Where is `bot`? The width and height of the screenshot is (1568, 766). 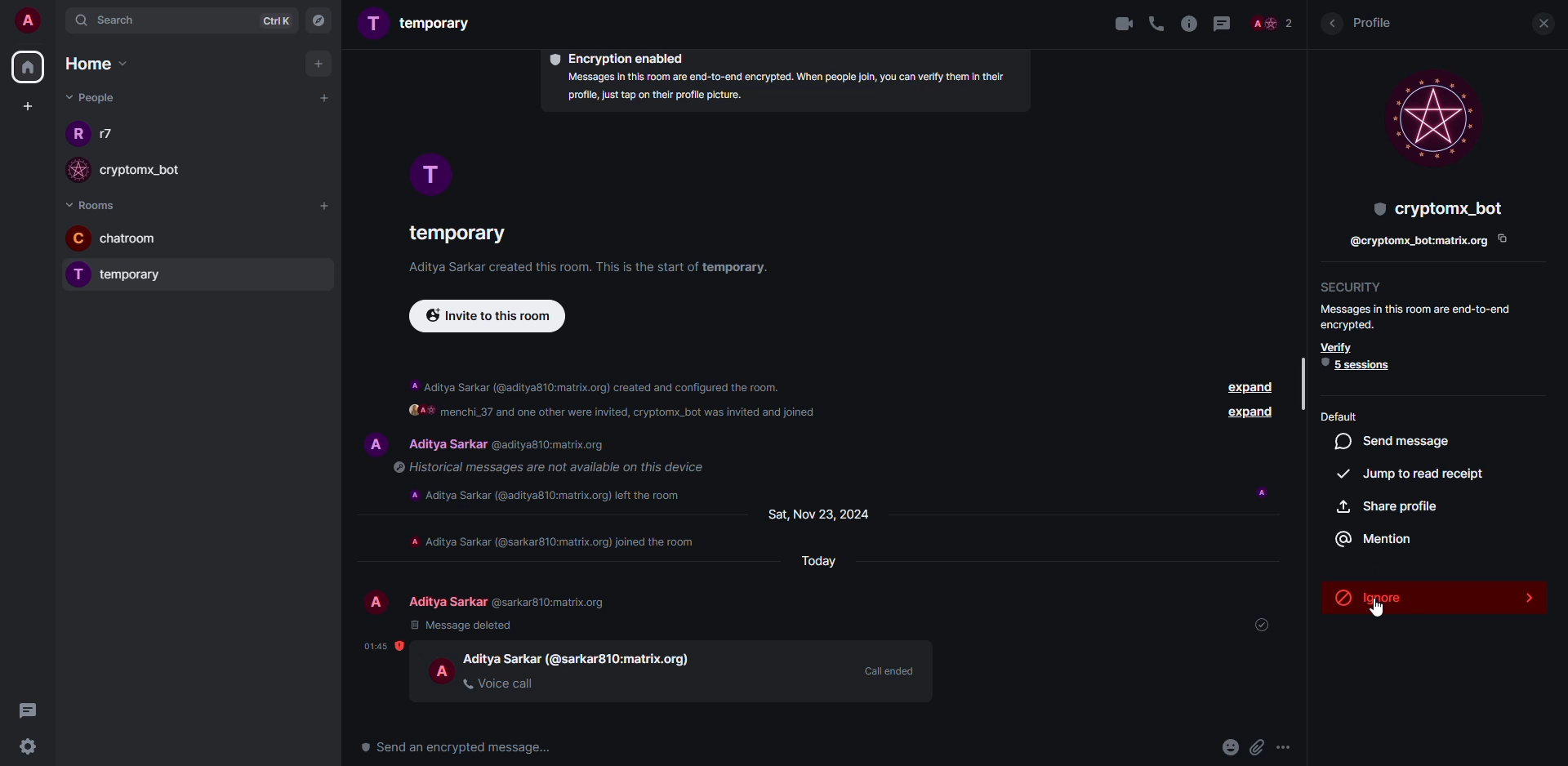
bot is located at coordinates (1435, 207).